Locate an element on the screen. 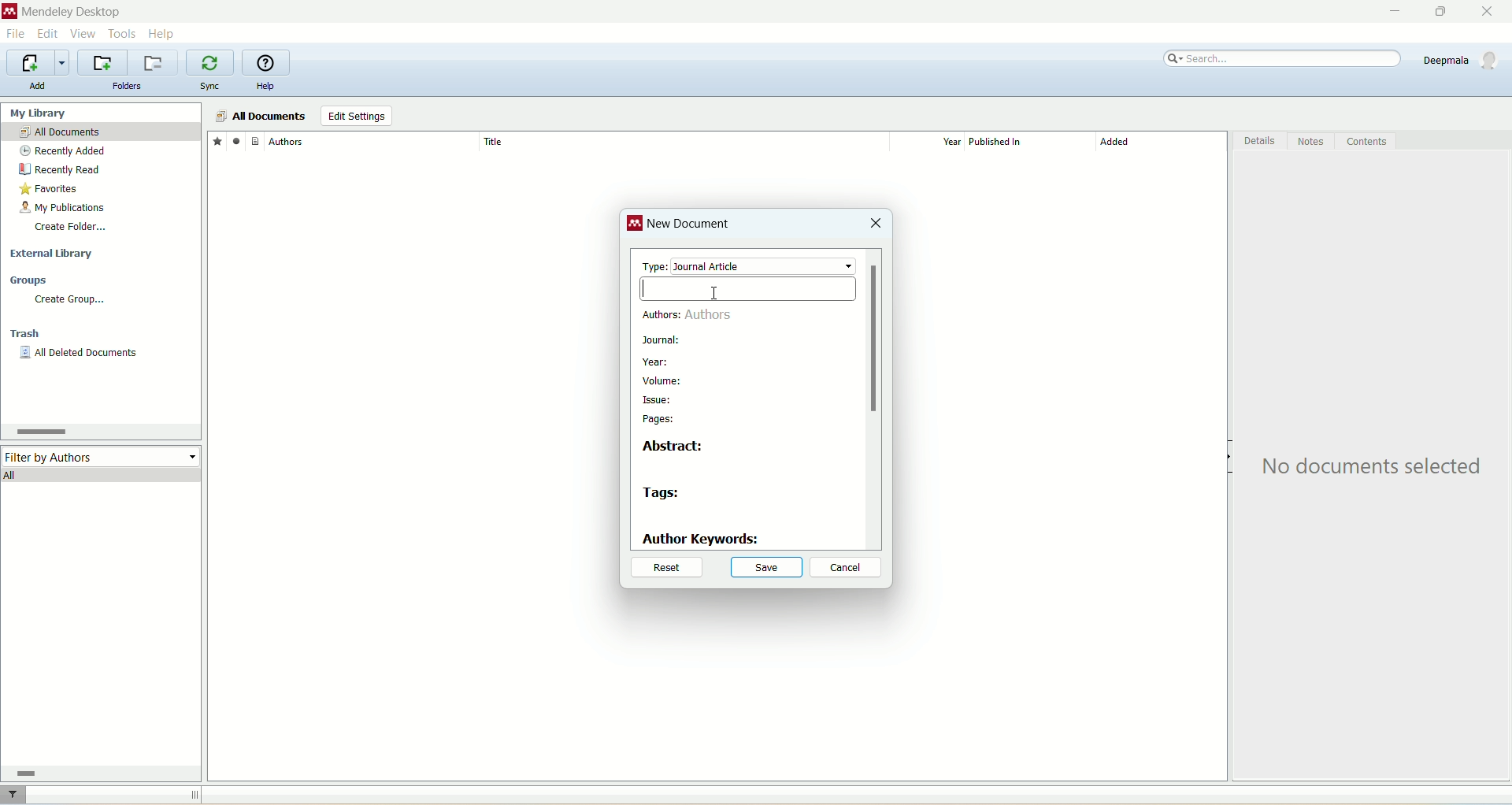  sync is located at coordinates (212, 87).